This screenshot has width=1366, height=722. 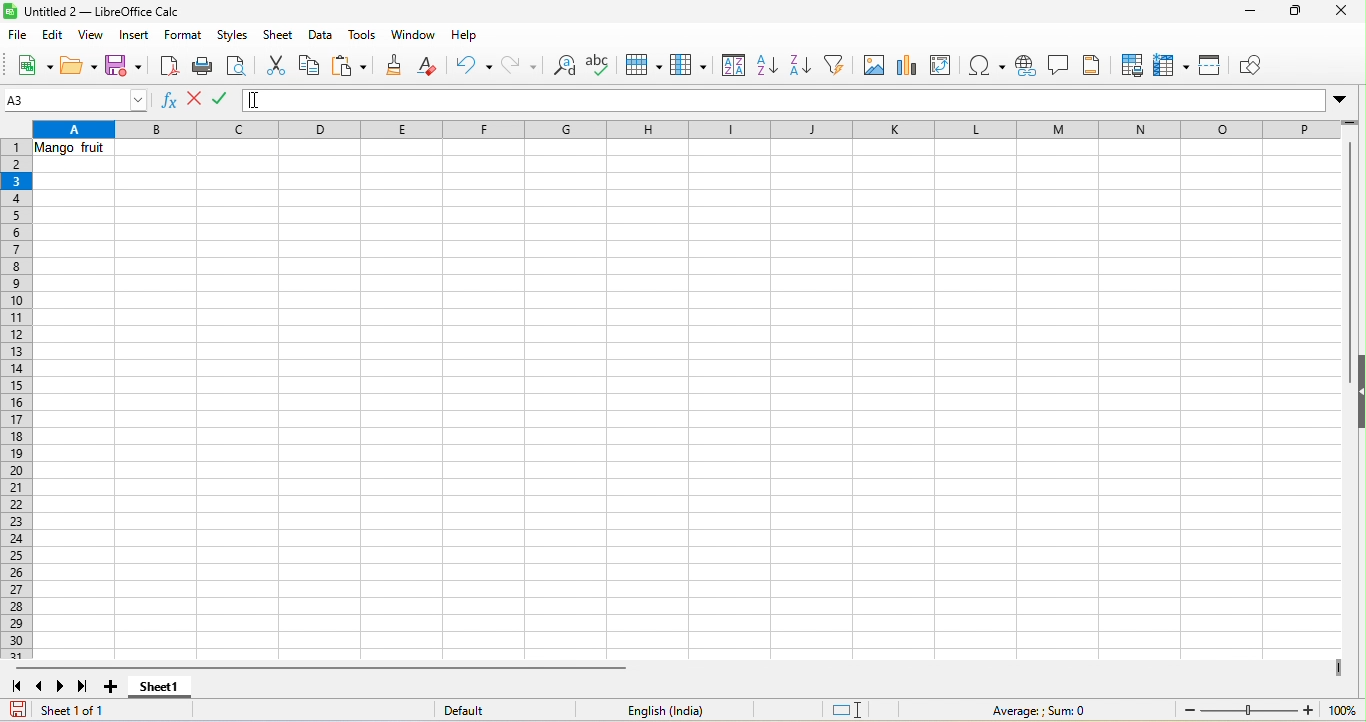 I want to click on view, so click(x=87, y=35).